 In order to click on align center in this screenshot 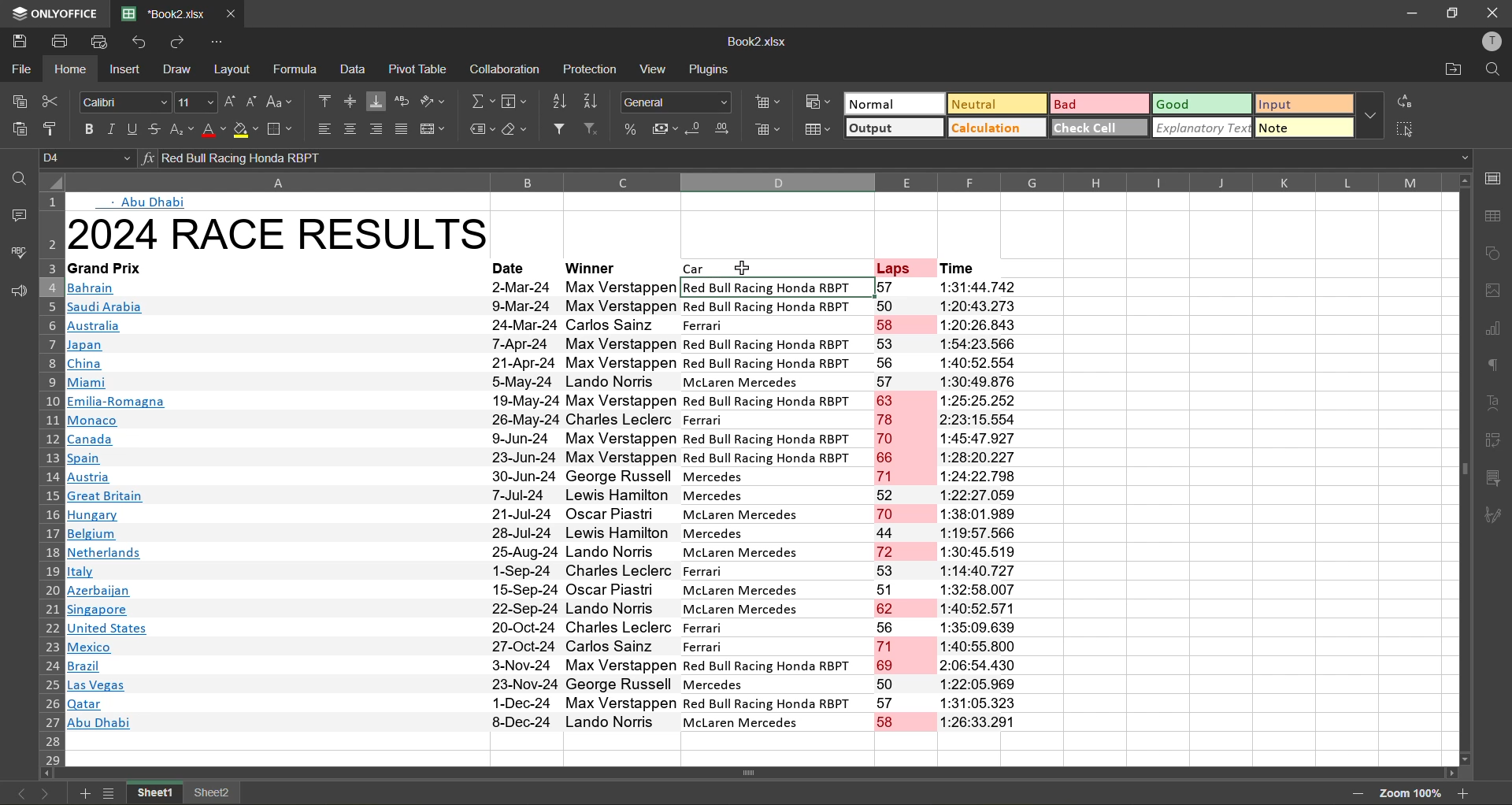, I will do `click(353, 128)`.